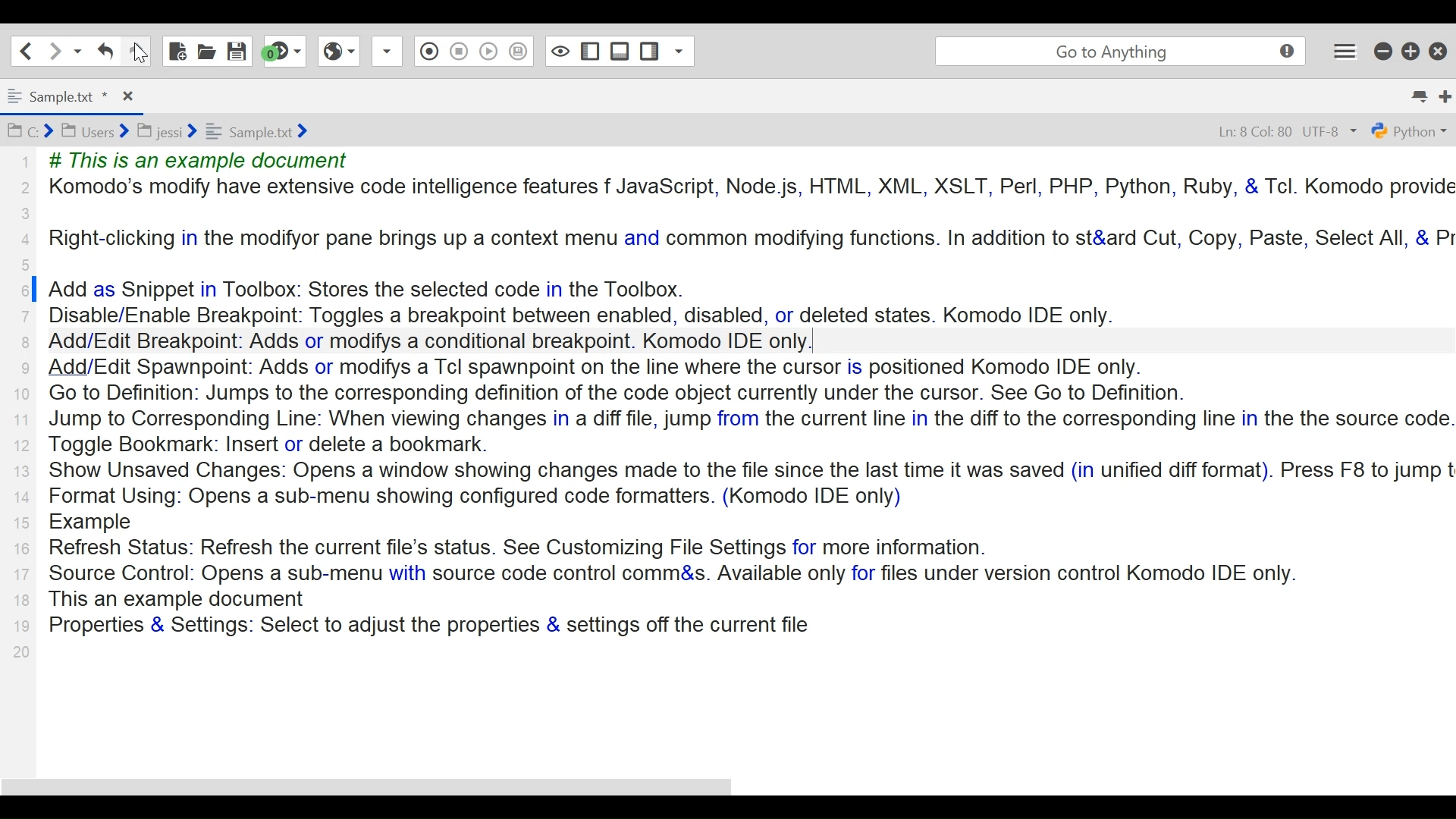  What do you see at coordinates (1439, 50) in the screenshot?
I see `Close` at bounding box center [1439, 50].